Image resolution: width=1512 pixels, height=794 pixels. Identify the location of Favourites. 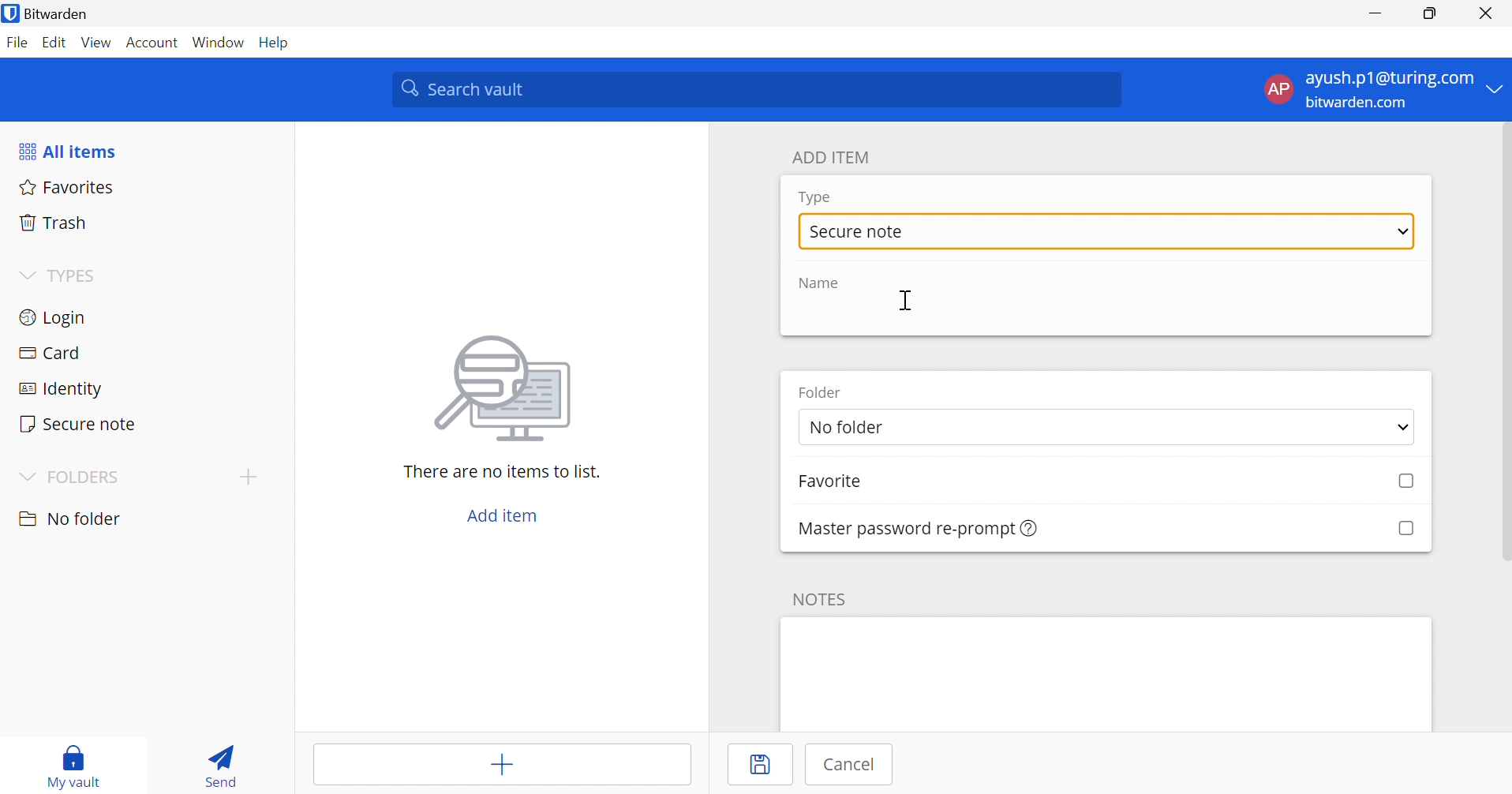
(69, 189).